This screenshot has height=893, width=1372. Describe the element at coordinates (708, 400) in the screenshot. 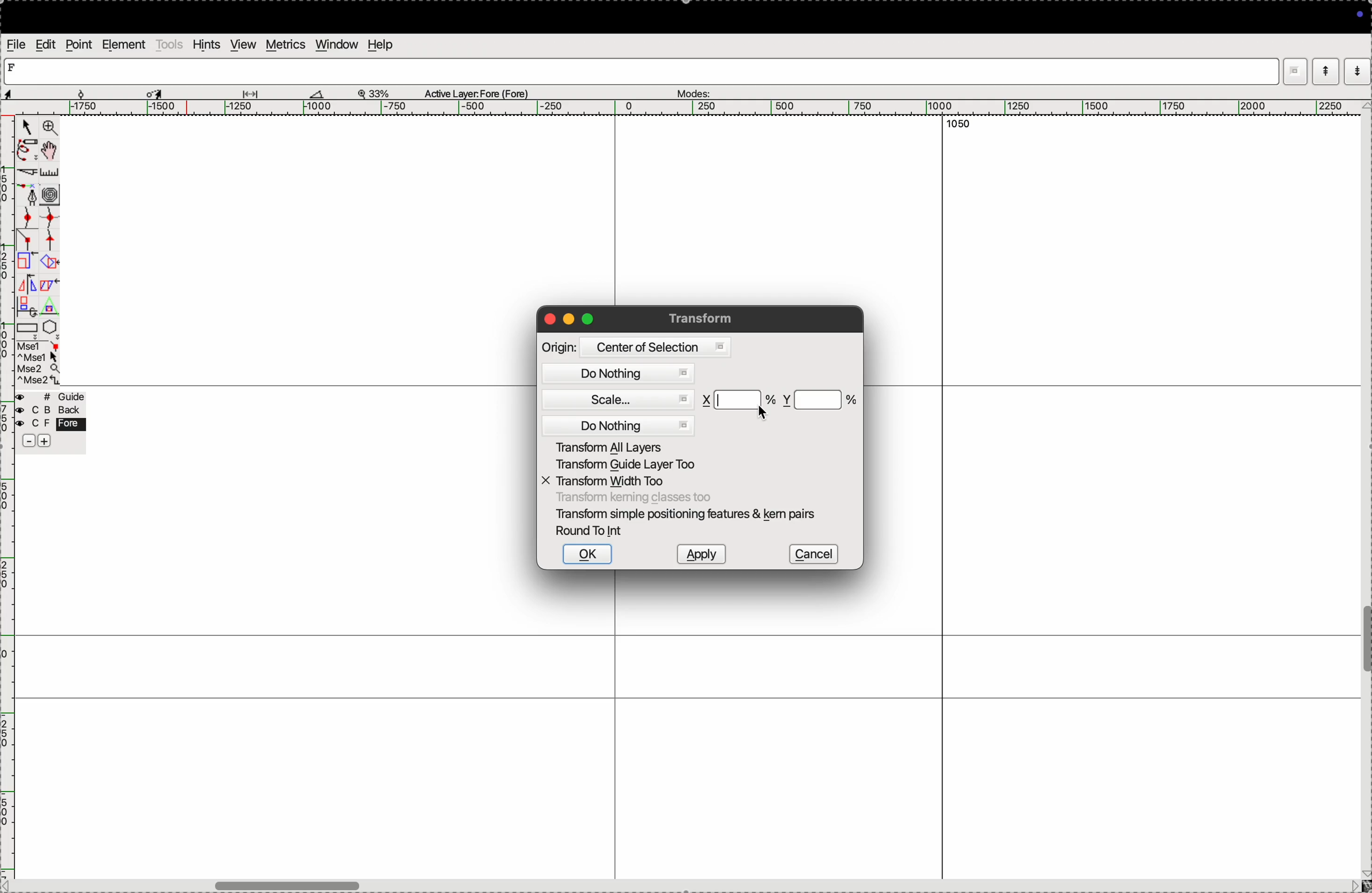

I see `x co-ordinate` at that location.